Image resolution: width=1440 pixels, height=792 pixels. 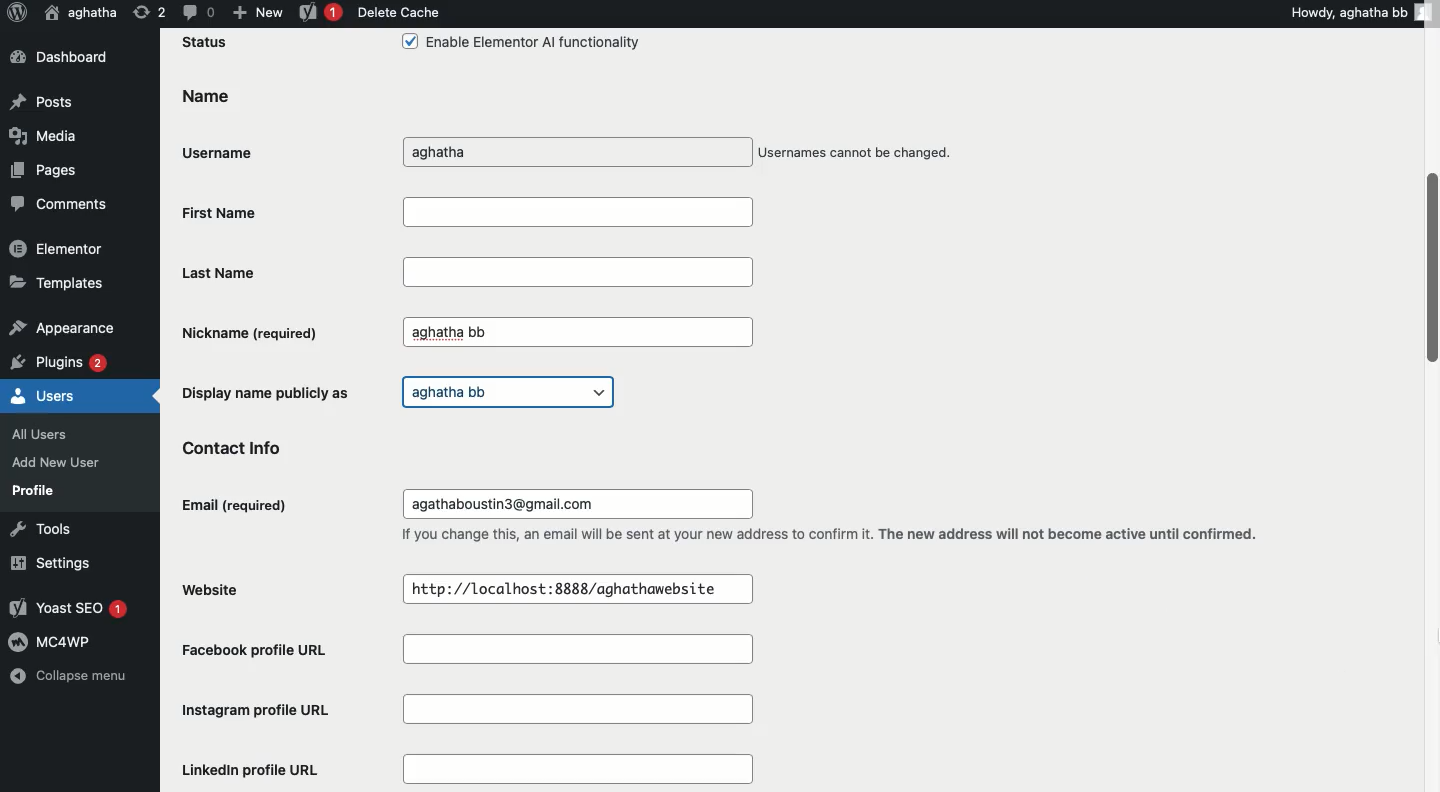 I want to click on Pages, so click(x=46, y=169).